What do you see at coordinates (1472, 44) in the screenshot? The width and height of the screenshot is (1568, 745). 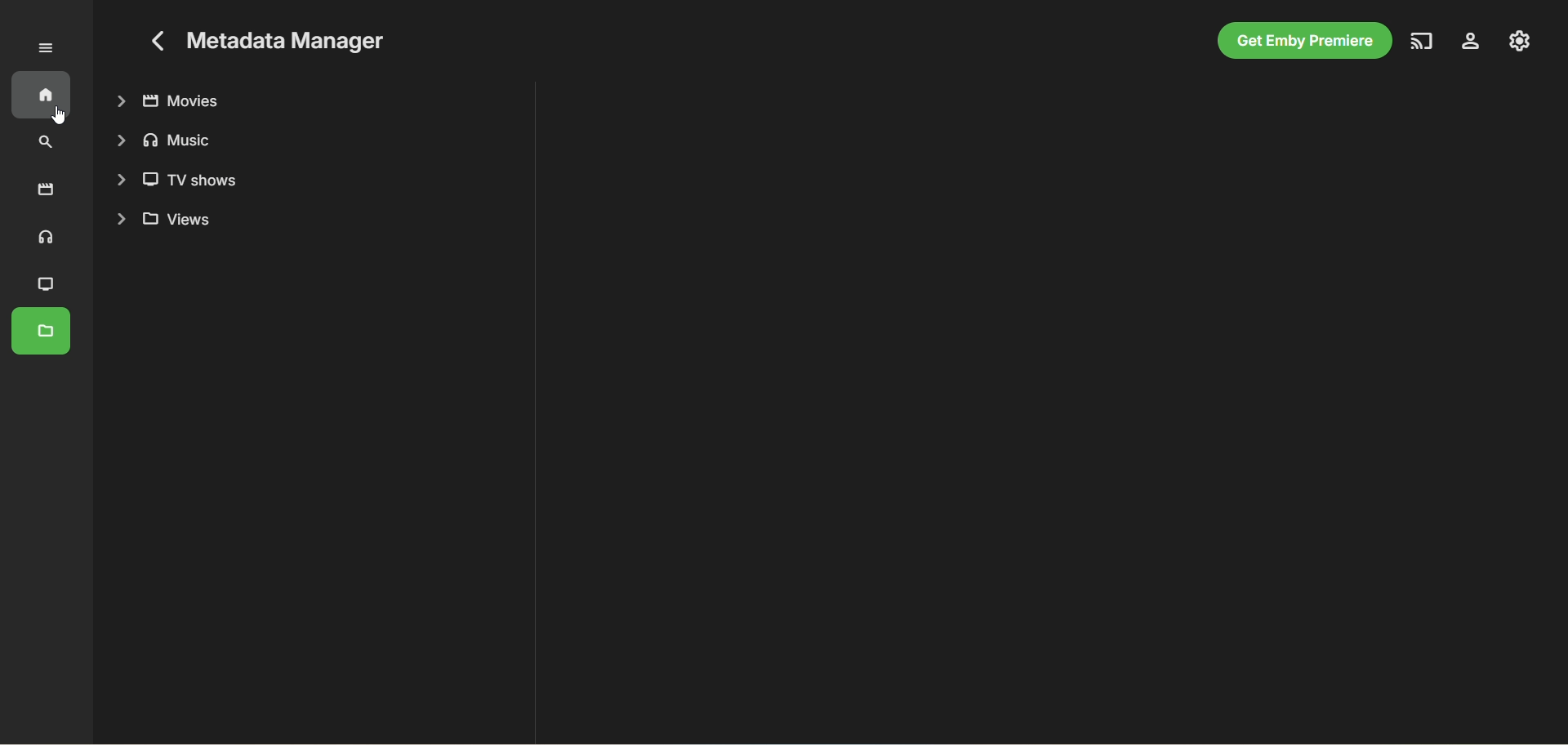 I see `settings` at bounding box center [1472, 44].